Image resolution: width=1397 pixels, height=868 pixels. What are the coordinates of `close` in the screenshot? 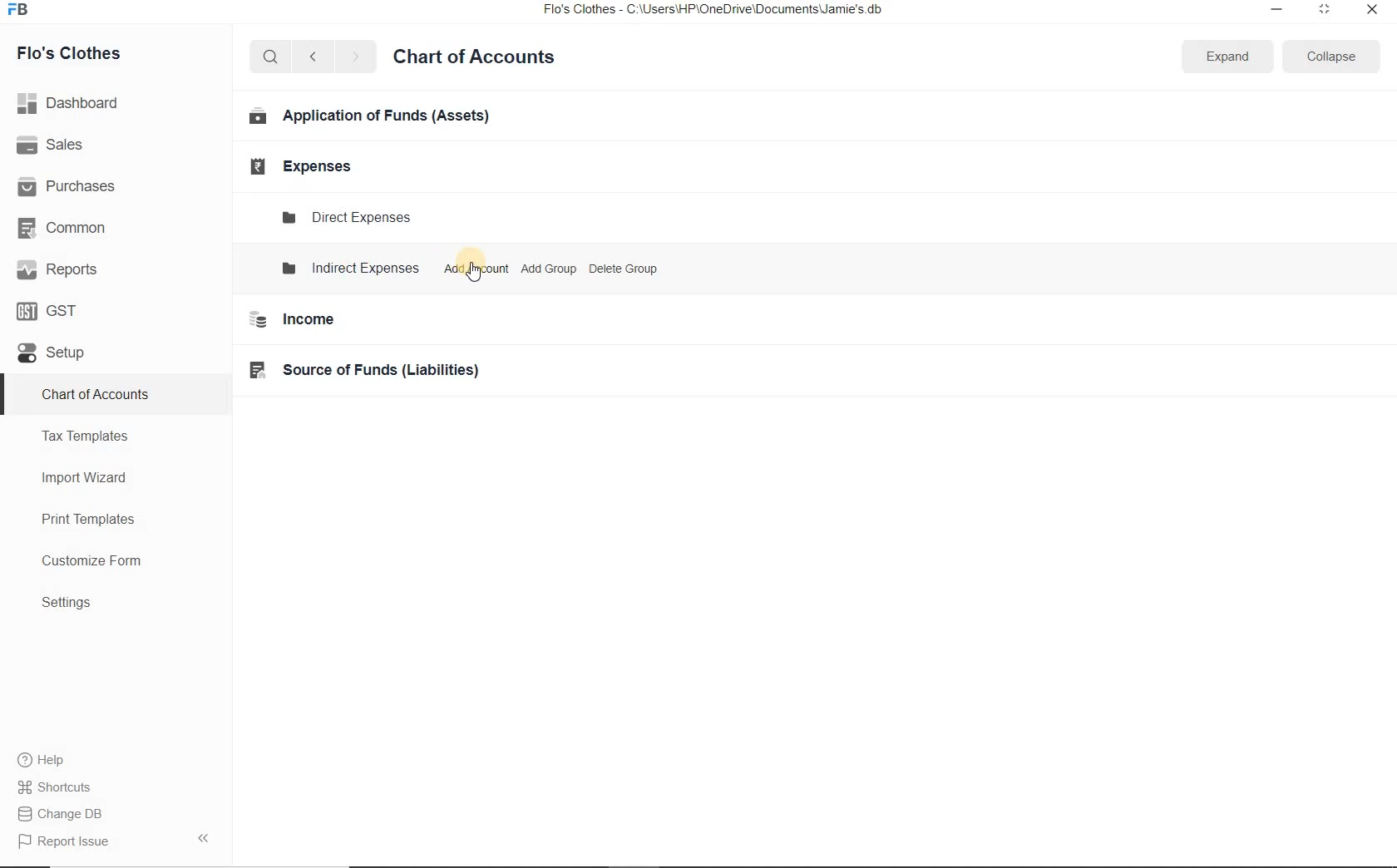 It's located at (1370, 13).